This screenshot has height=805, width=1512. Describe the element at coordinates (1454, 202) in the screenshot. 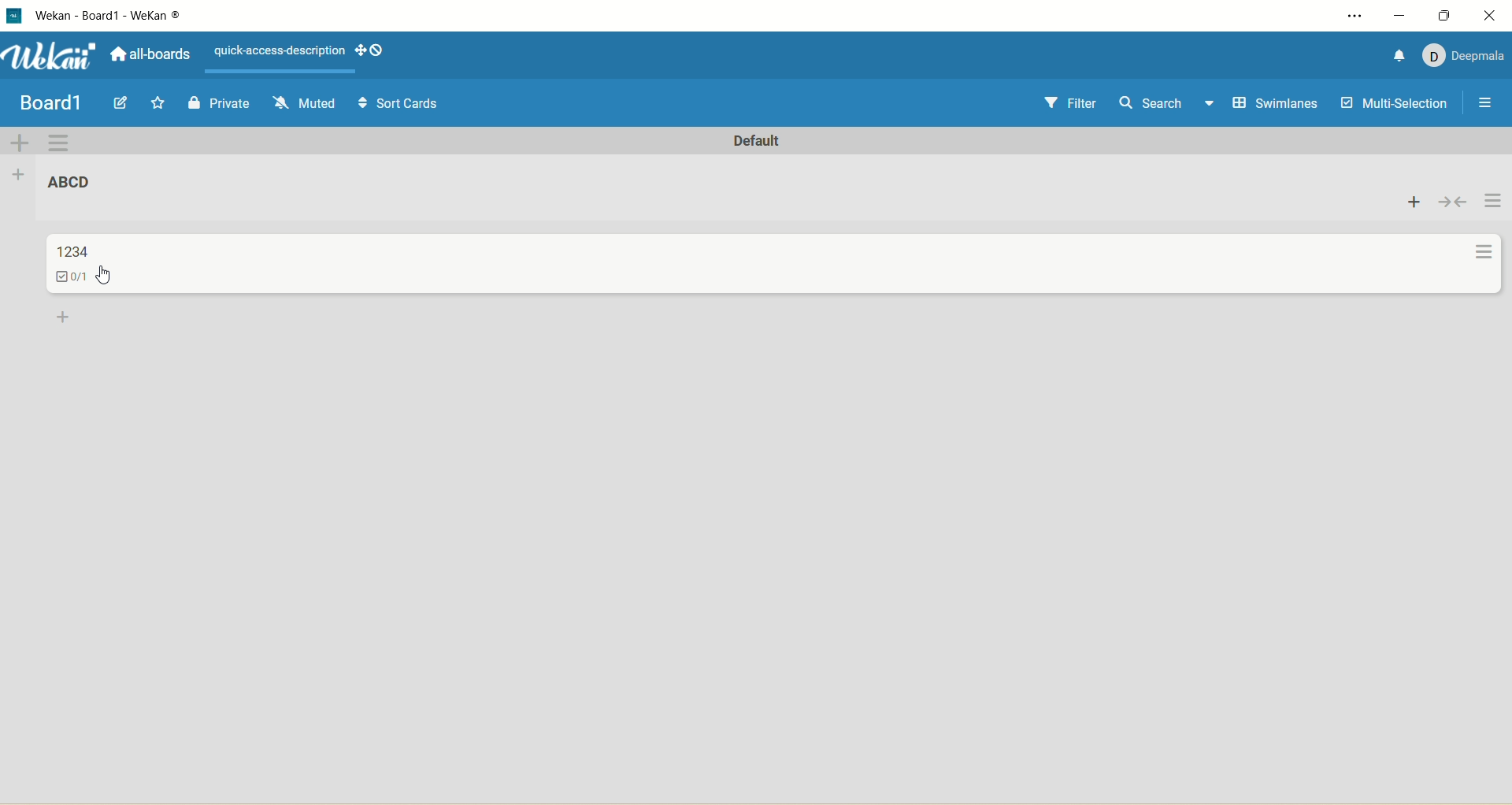

I see `collapse` at that location.